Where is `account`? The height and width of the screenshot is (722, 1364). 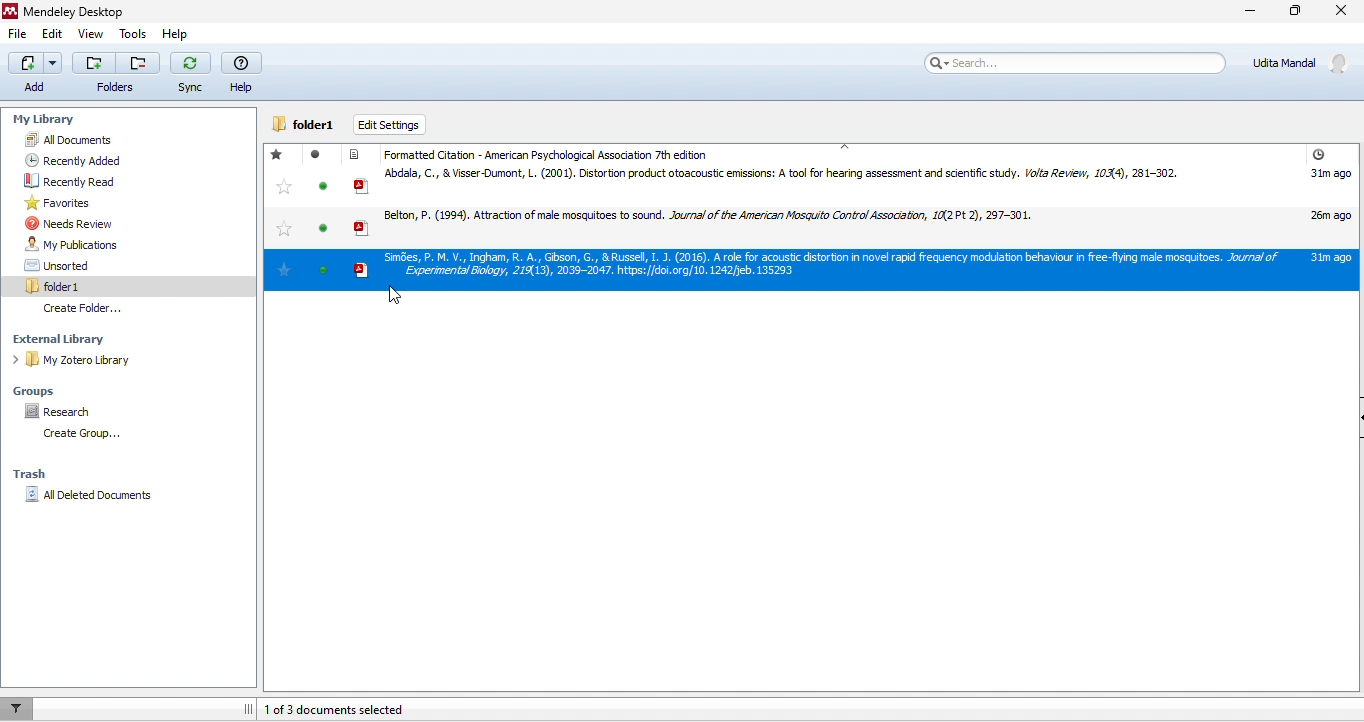 account is located at coordinates (1303, 63).